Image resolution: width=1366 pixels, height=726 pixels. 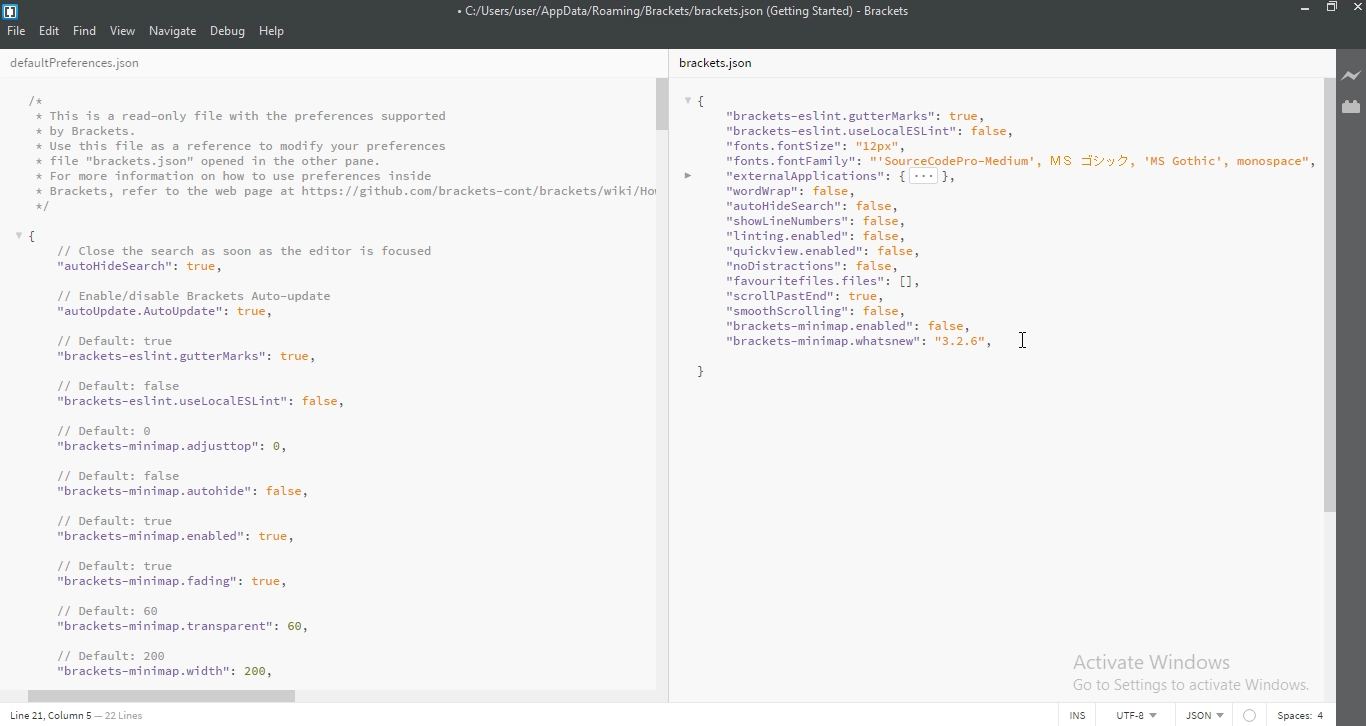 I want to click on defaultPreference.json, so click(x=98, y=64).